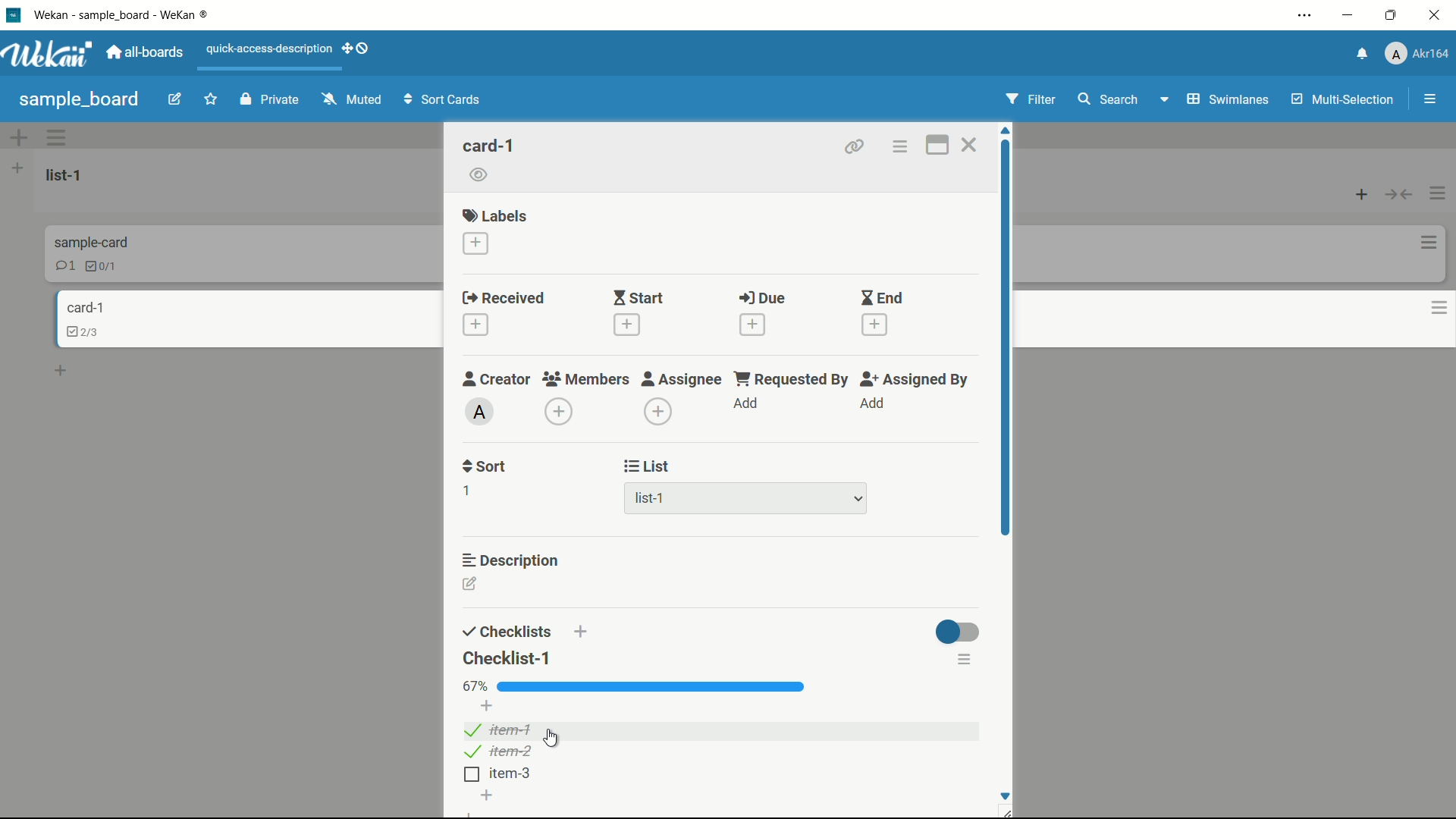 The width and height of the screenshot is (1456, 819). What do you see at coordinates (657, 413) in the screenshot?
I see `add assignee` at bounding box center [657, 413].